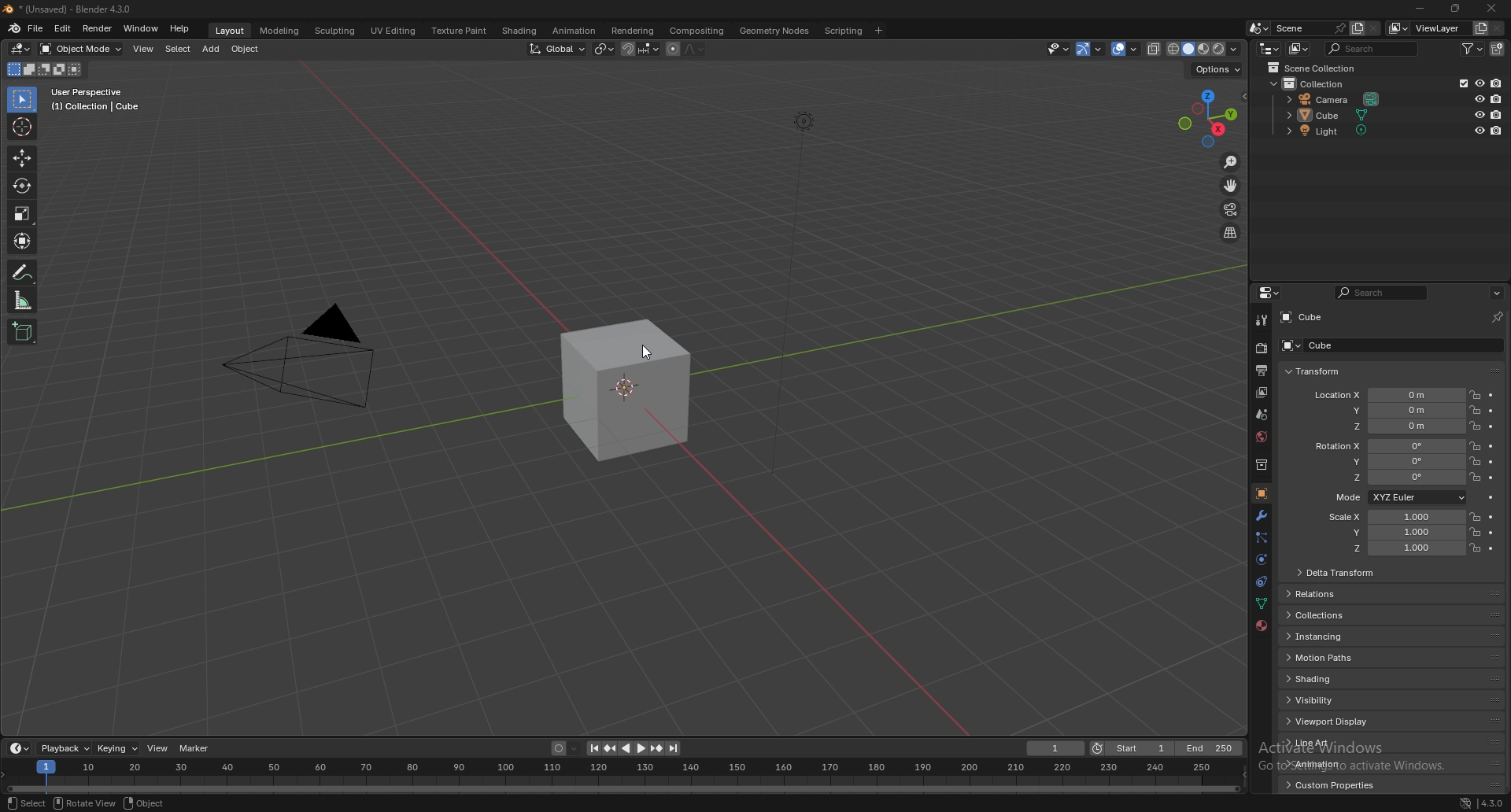  What do you see at coordinates (179, 49) in the screenshot?
I see `select` at bounding box center [179, 49].